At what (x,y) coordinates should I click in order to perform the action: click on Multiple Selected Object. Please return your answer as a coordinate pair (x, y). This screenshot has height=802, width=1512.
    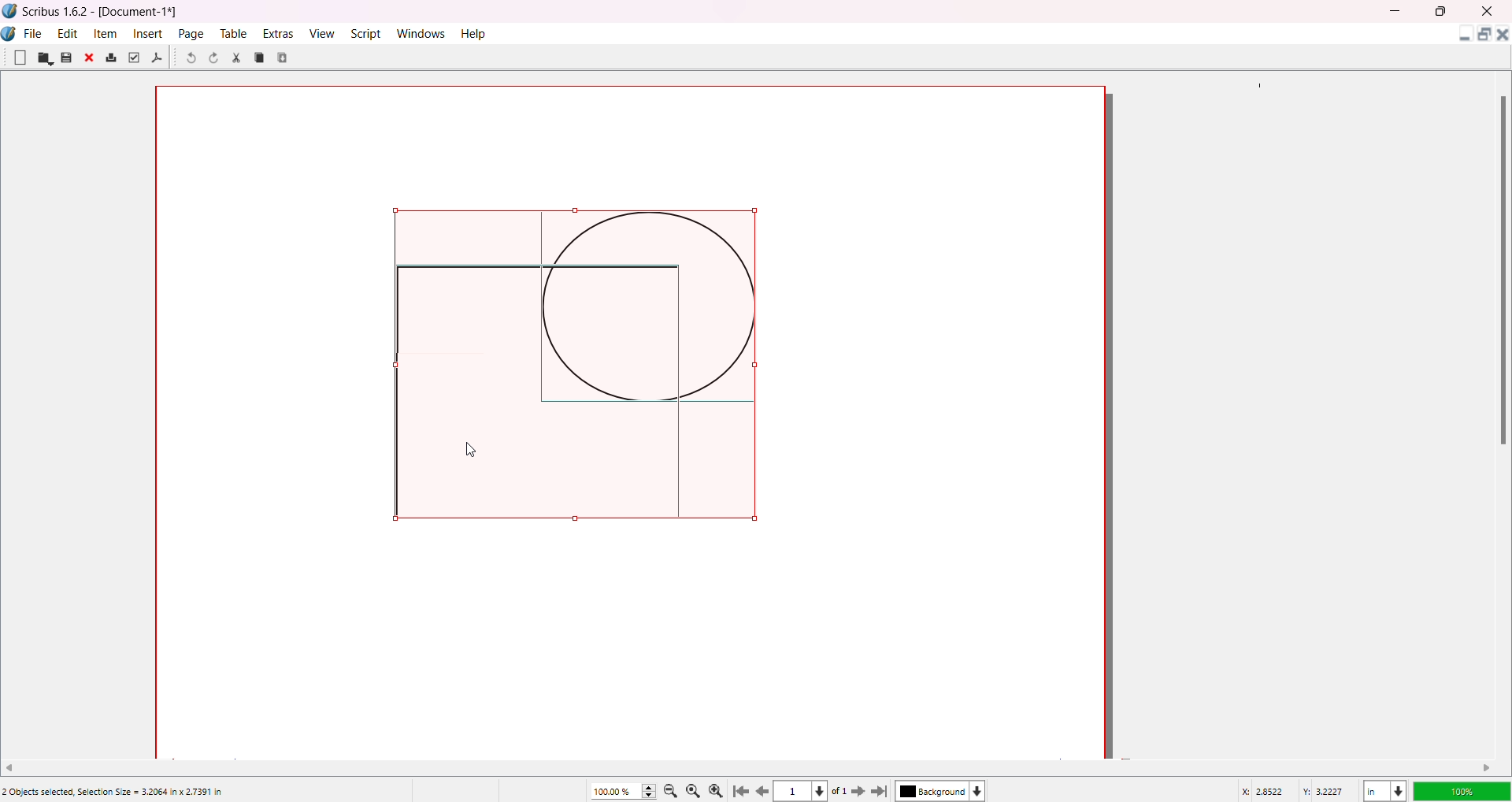
    Looking at the image, I should click on (573, 370).